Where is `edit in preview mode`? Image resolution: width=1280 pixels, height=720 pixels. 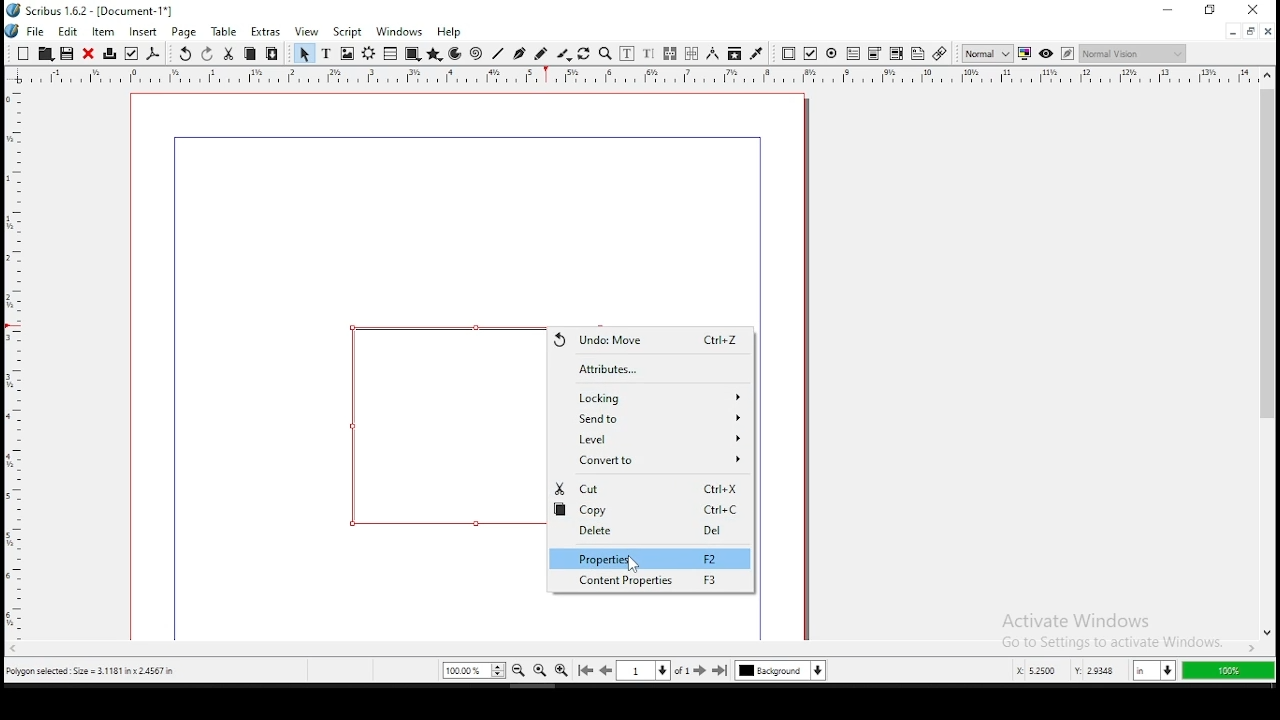 edit in preview mode is located at coordinates (1067, 53).